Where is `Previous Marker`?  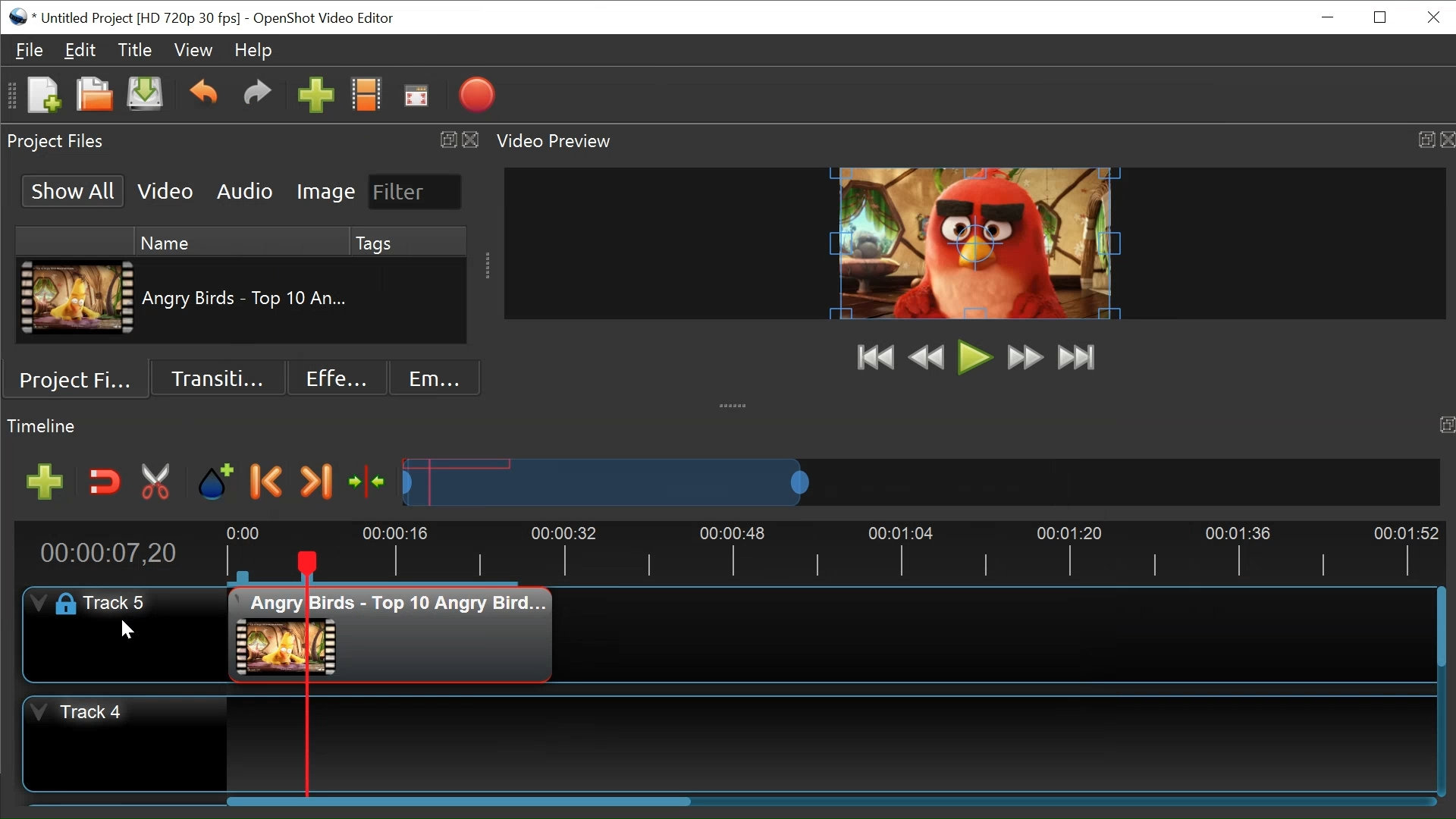 Previous Marker is located at coordinates (265, 482).